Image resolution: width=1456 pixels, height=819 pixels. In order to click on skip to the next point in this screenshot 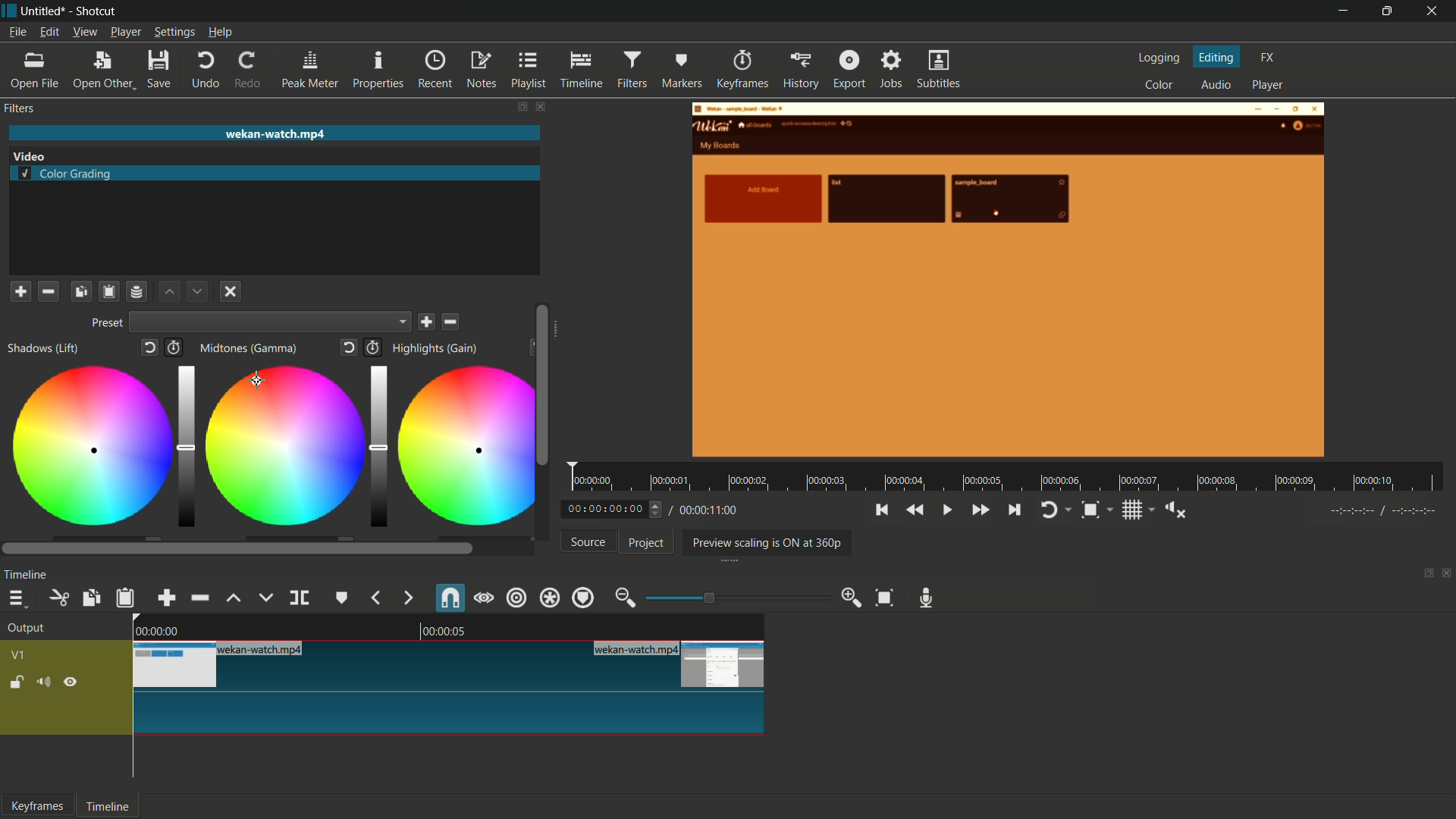, I will do `click(1015, 509)`.